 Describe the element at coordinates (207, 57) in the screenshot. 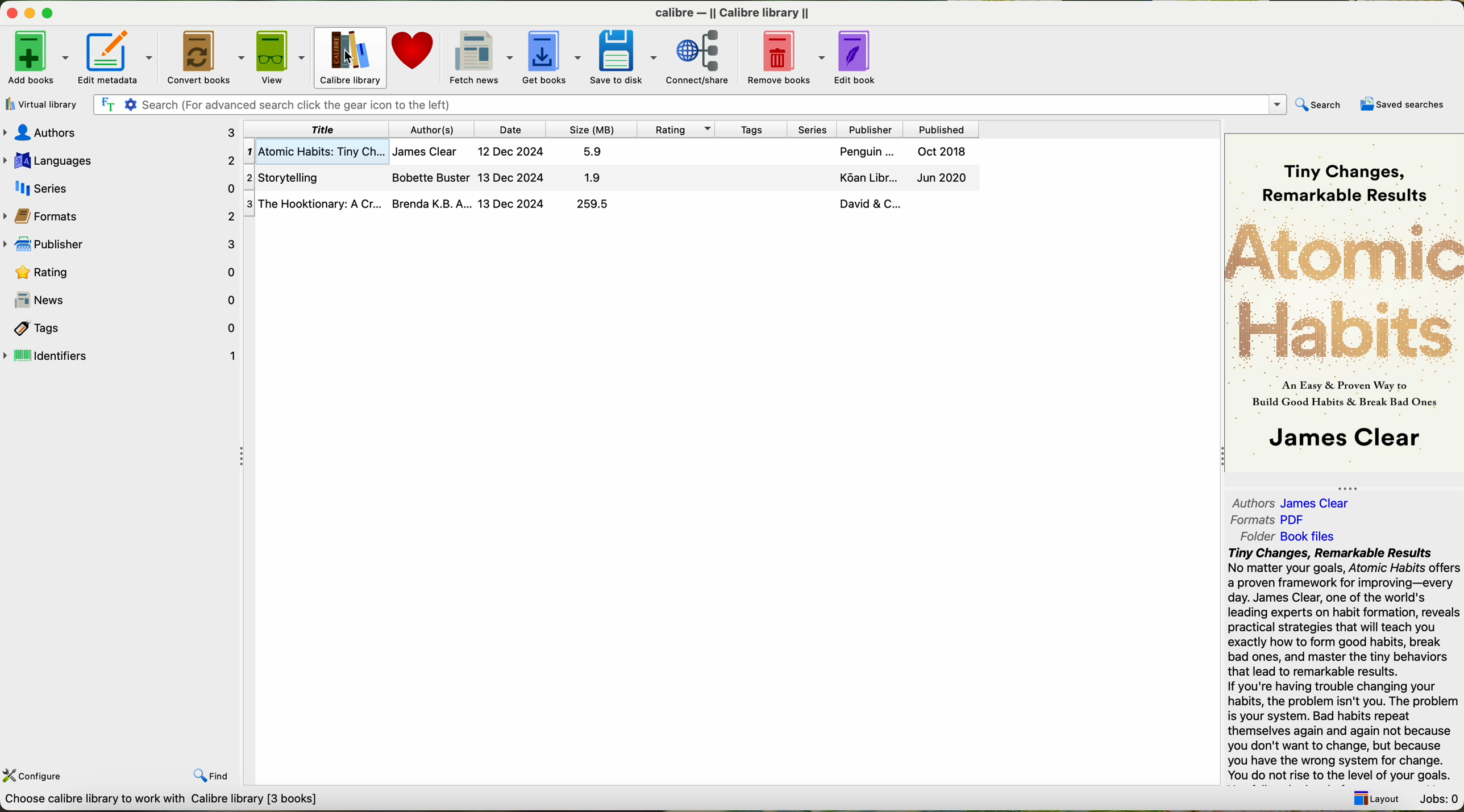

I see `convert books` at that location.